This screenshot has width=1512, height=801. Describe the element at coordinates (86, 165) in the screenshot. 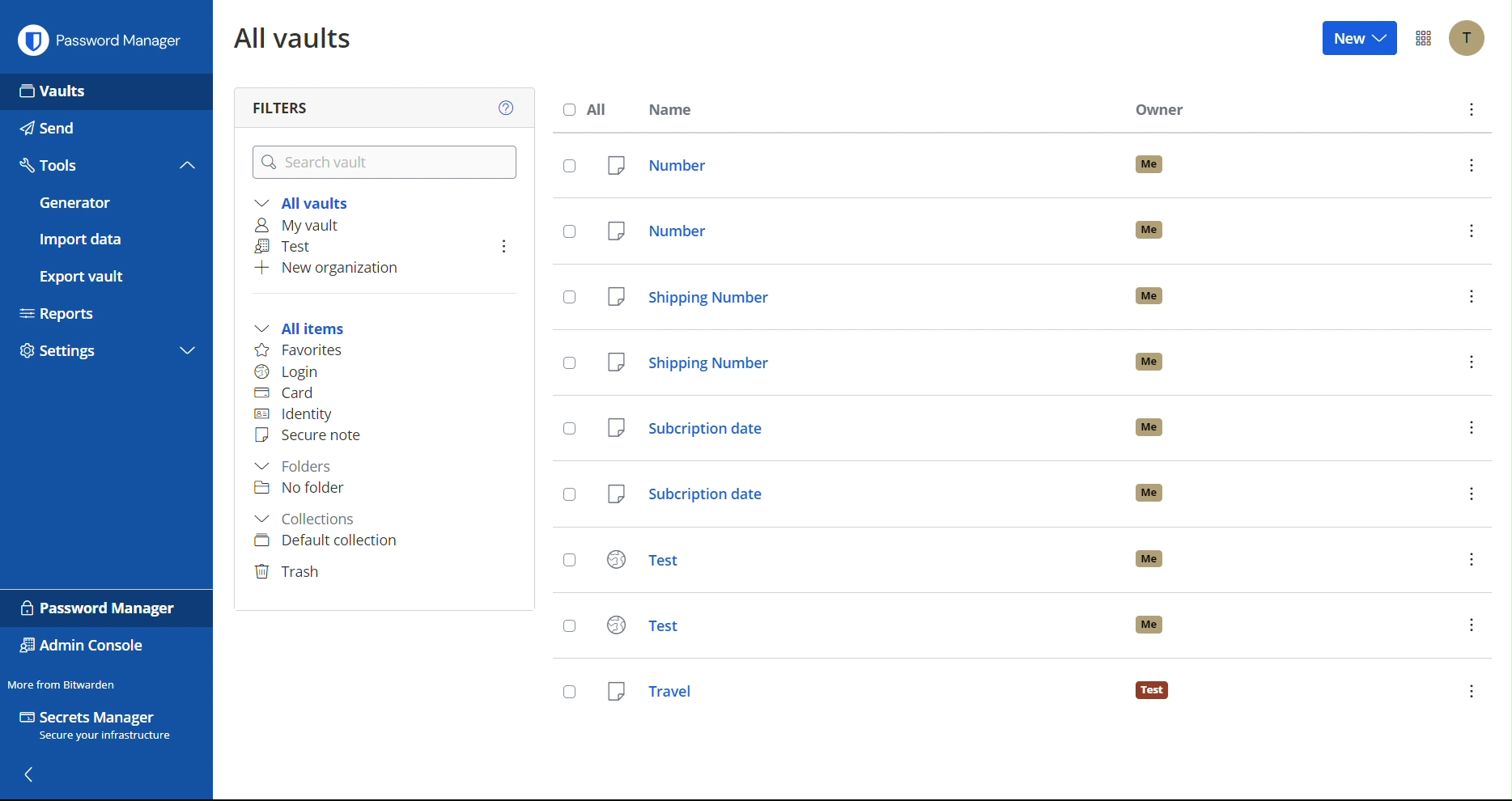

I see `Tools` at that location.